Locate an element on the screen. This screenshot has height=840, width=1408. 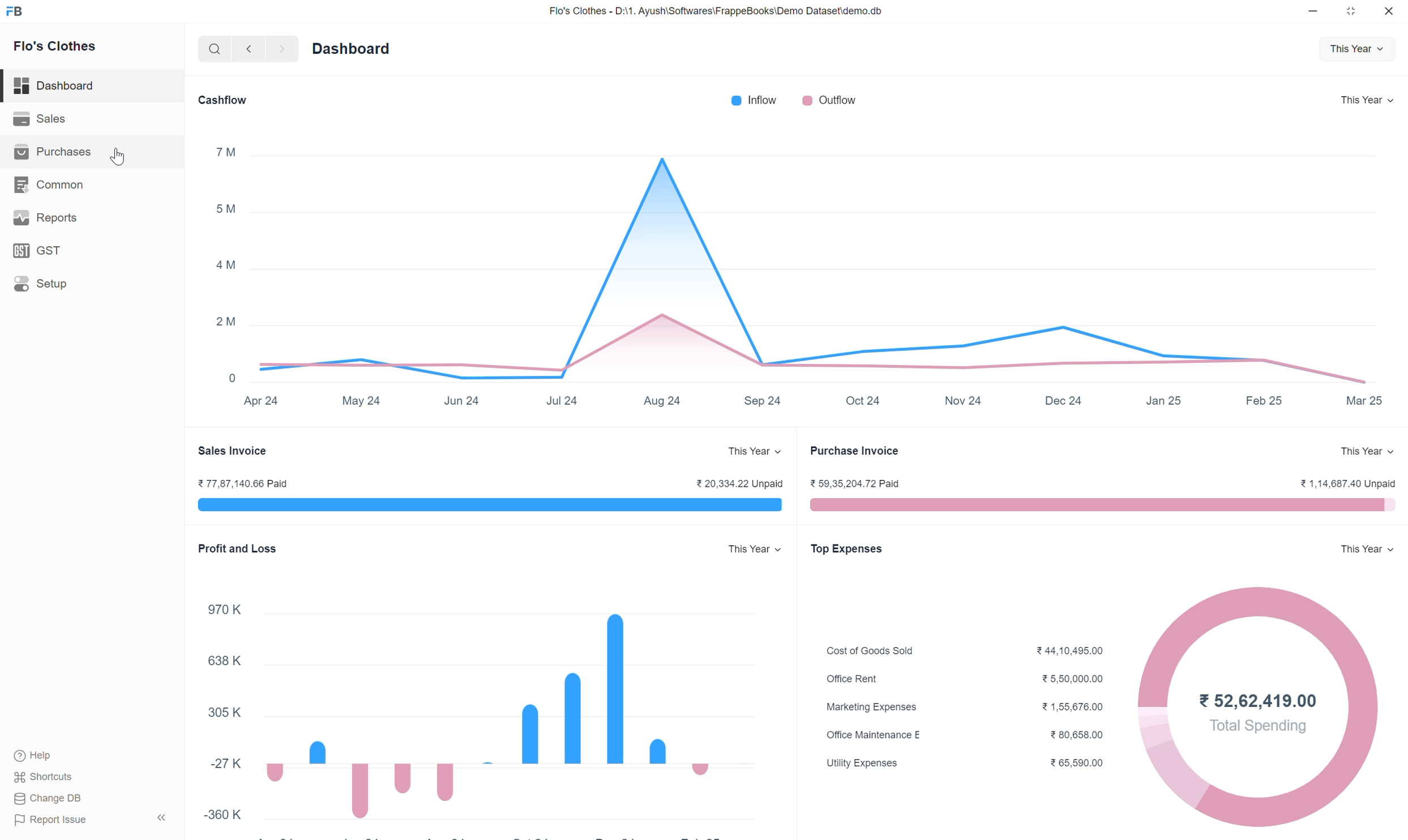
Setup is located at coordinates (92, 284).